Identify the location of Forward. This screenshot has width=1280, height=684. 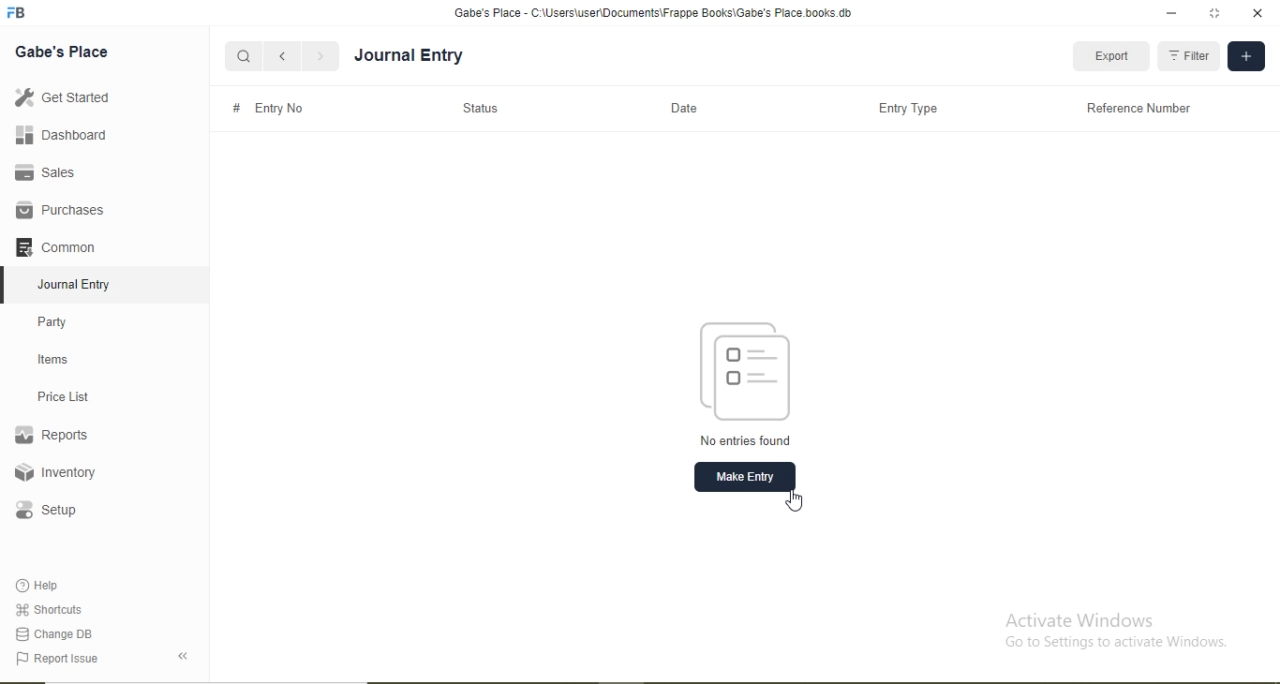
(321, 56).